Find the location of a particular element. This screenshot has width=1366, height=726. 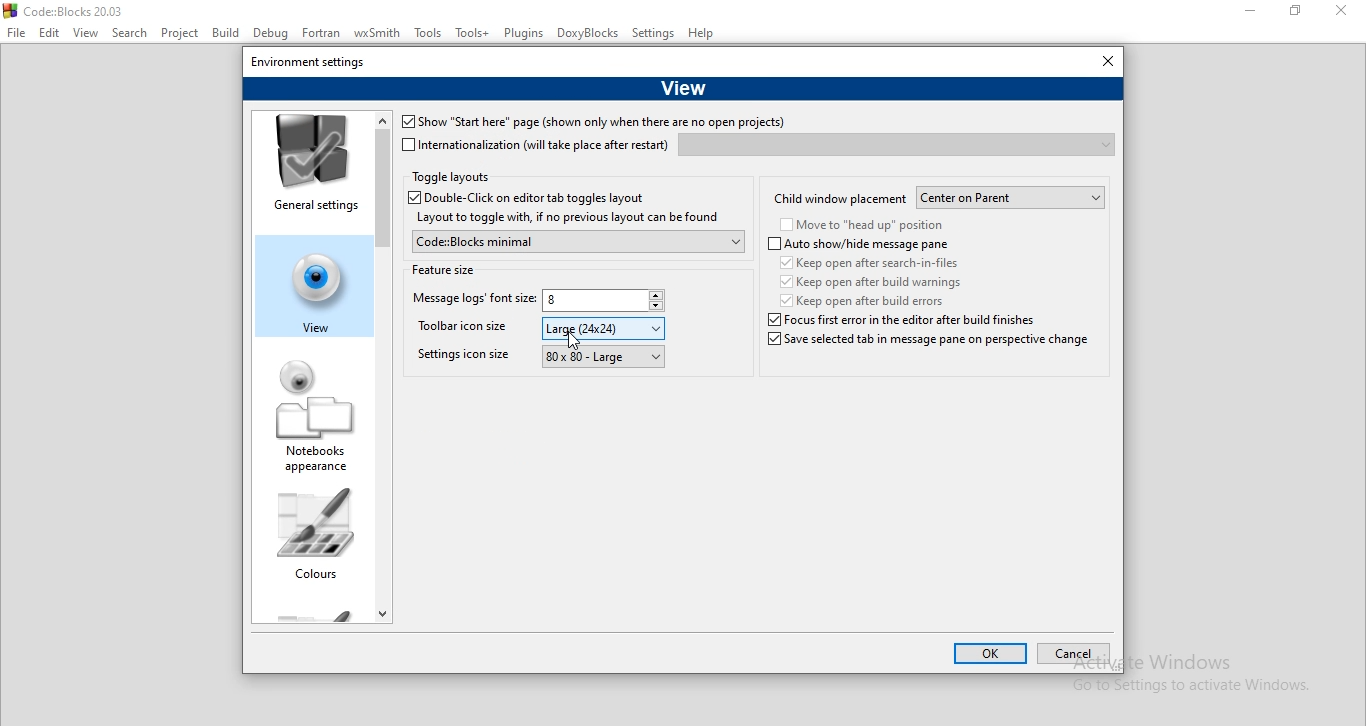

Code :: Blocks 20.03 is located at coordinates (67, 10).